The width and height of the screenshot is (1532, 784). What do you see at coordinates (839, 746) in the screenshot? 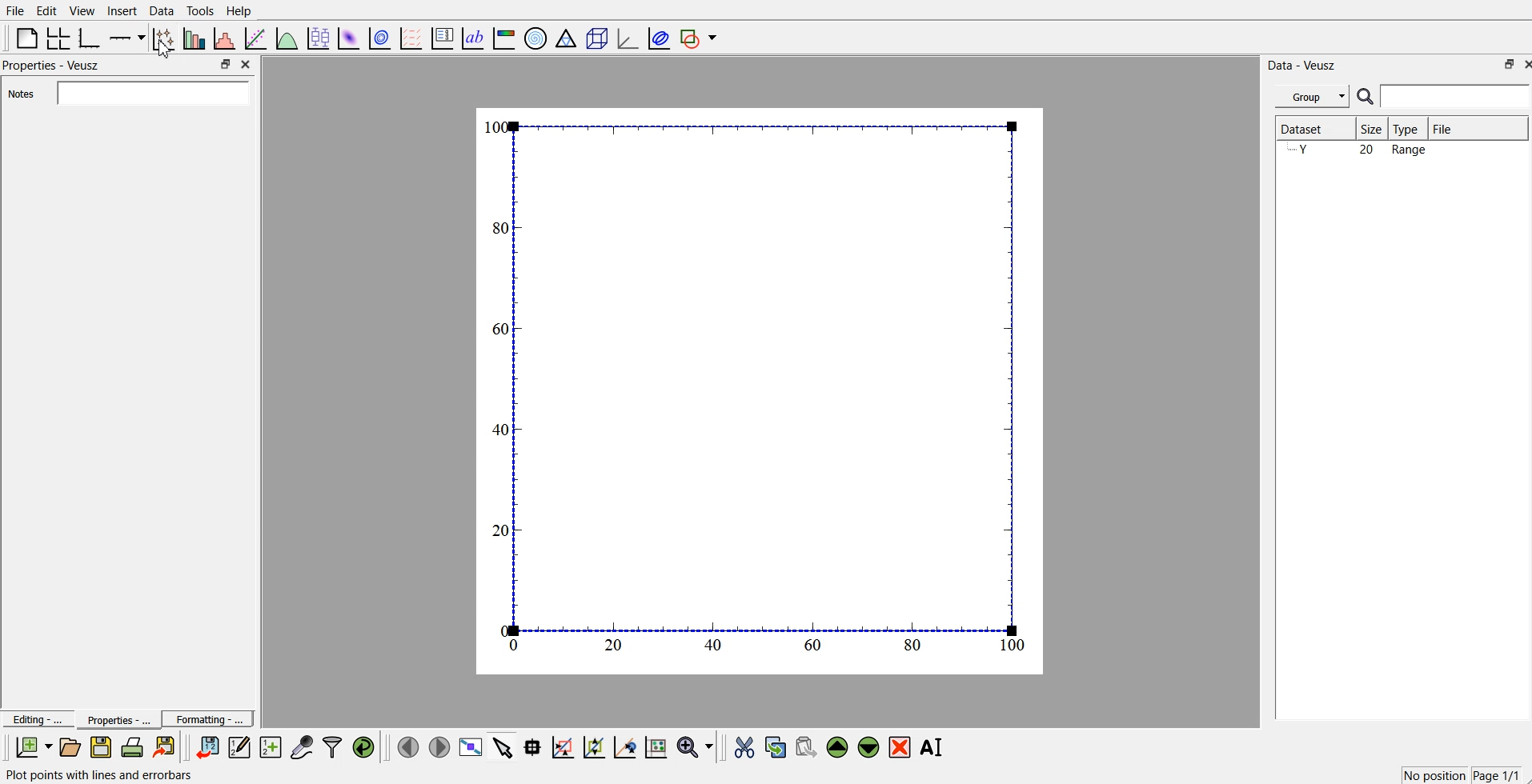
I see `move up` at bounding box center [839, 746].